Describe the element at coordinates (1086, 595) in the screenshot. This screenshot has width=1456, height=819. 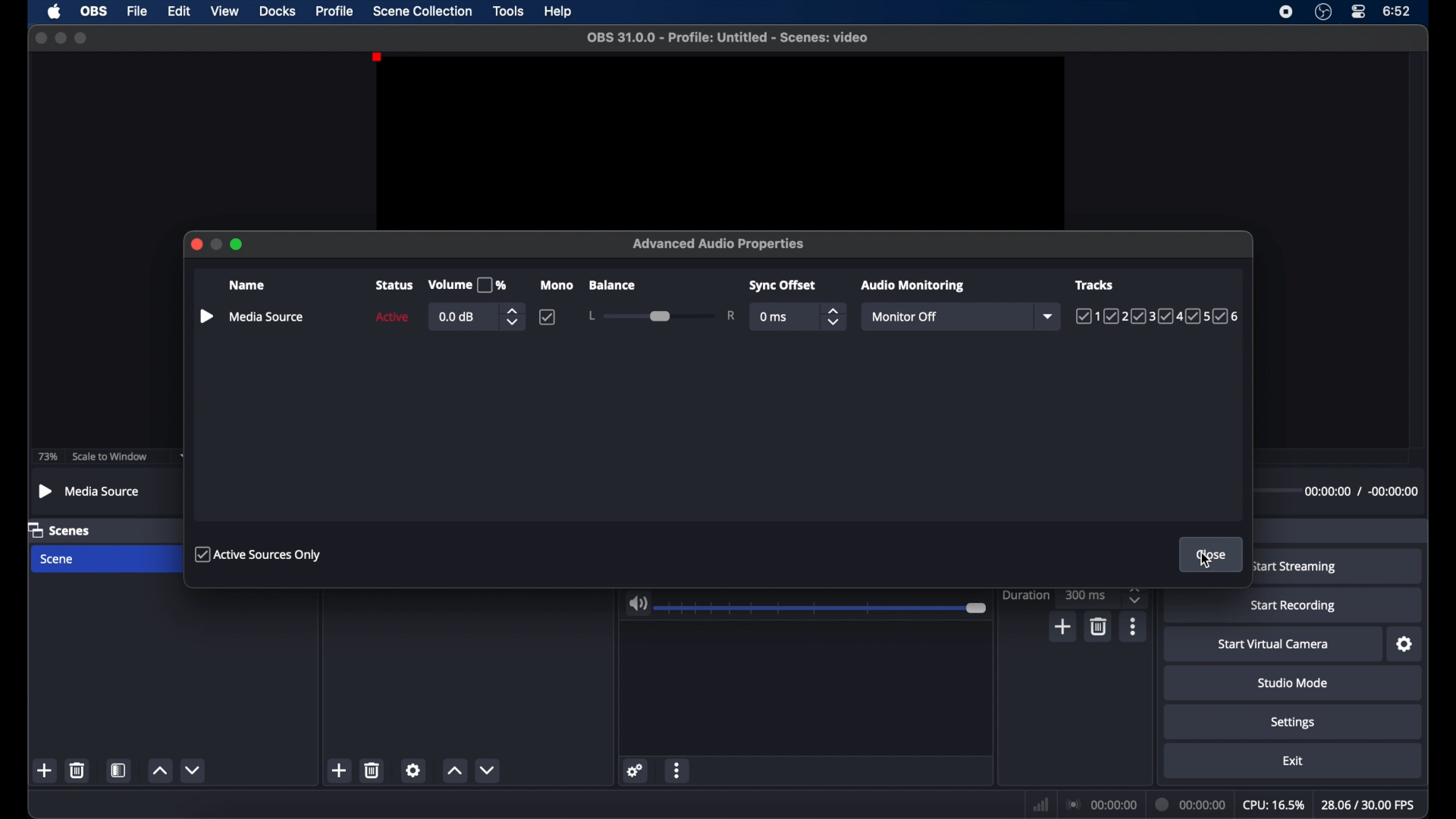
I see `300 ms` at that location.